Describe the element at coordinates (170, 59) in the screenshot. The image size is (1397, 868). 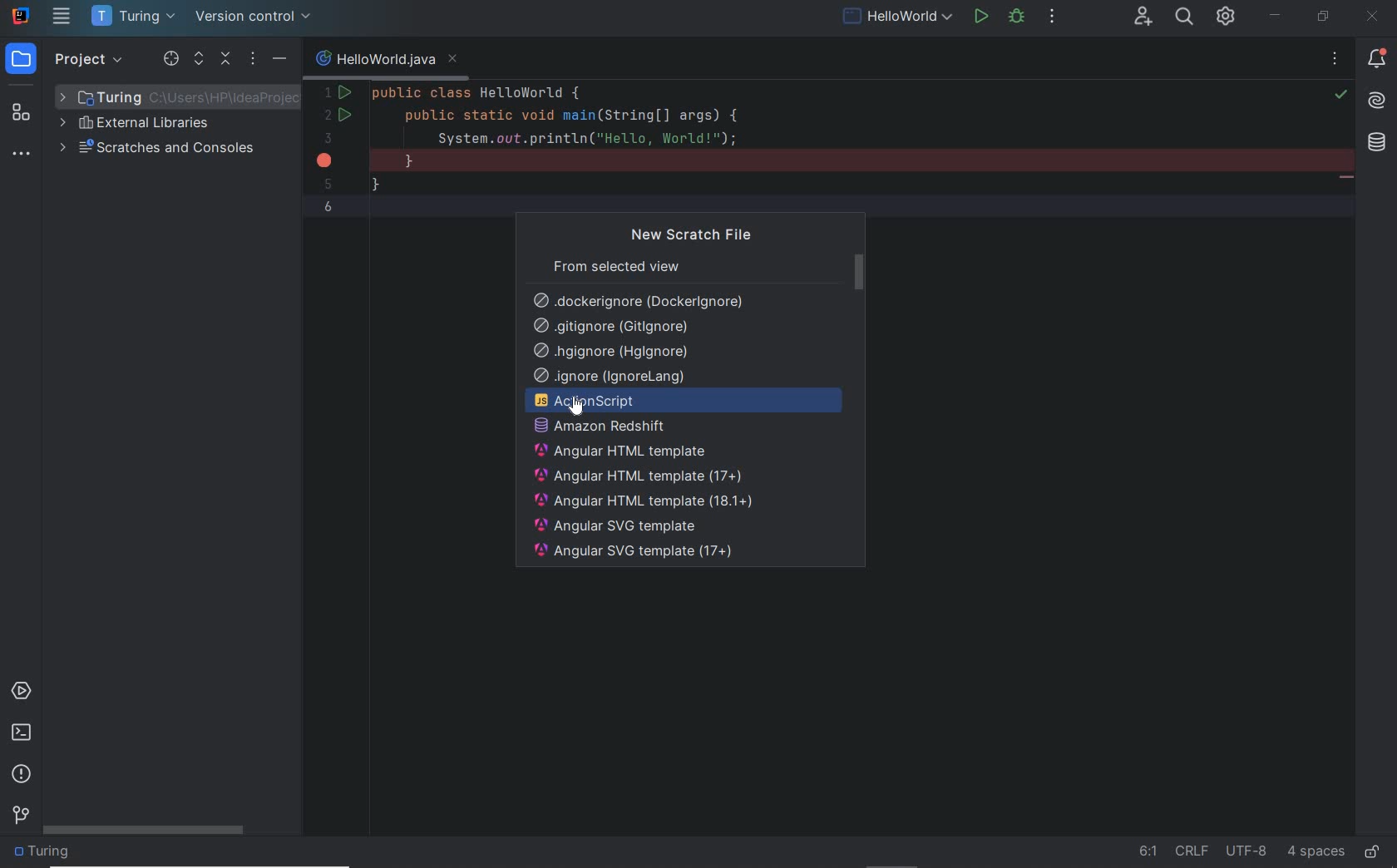
I see `select opened file` at that location.